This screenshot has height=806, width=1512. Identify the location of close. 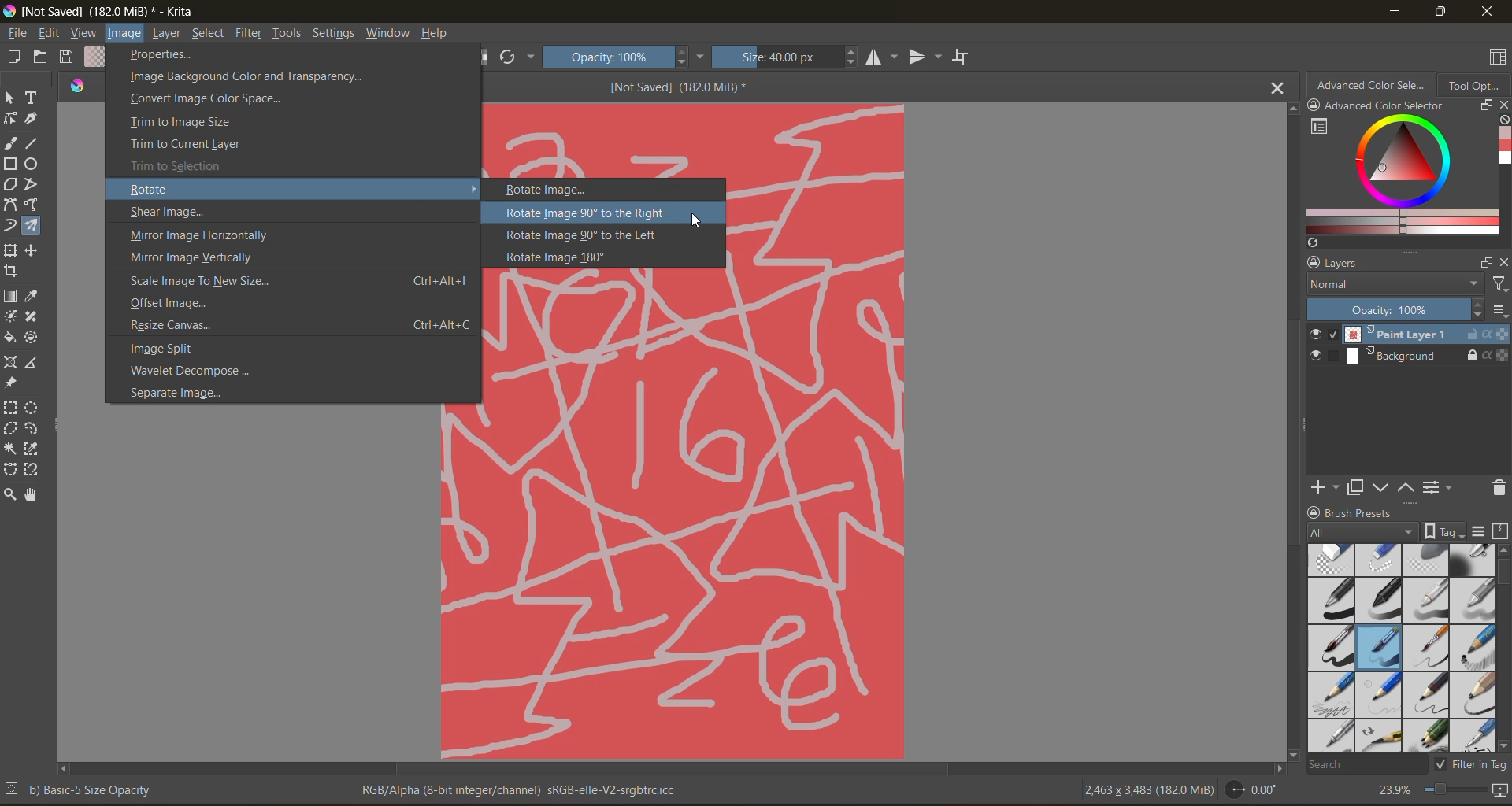
(1489, 13).